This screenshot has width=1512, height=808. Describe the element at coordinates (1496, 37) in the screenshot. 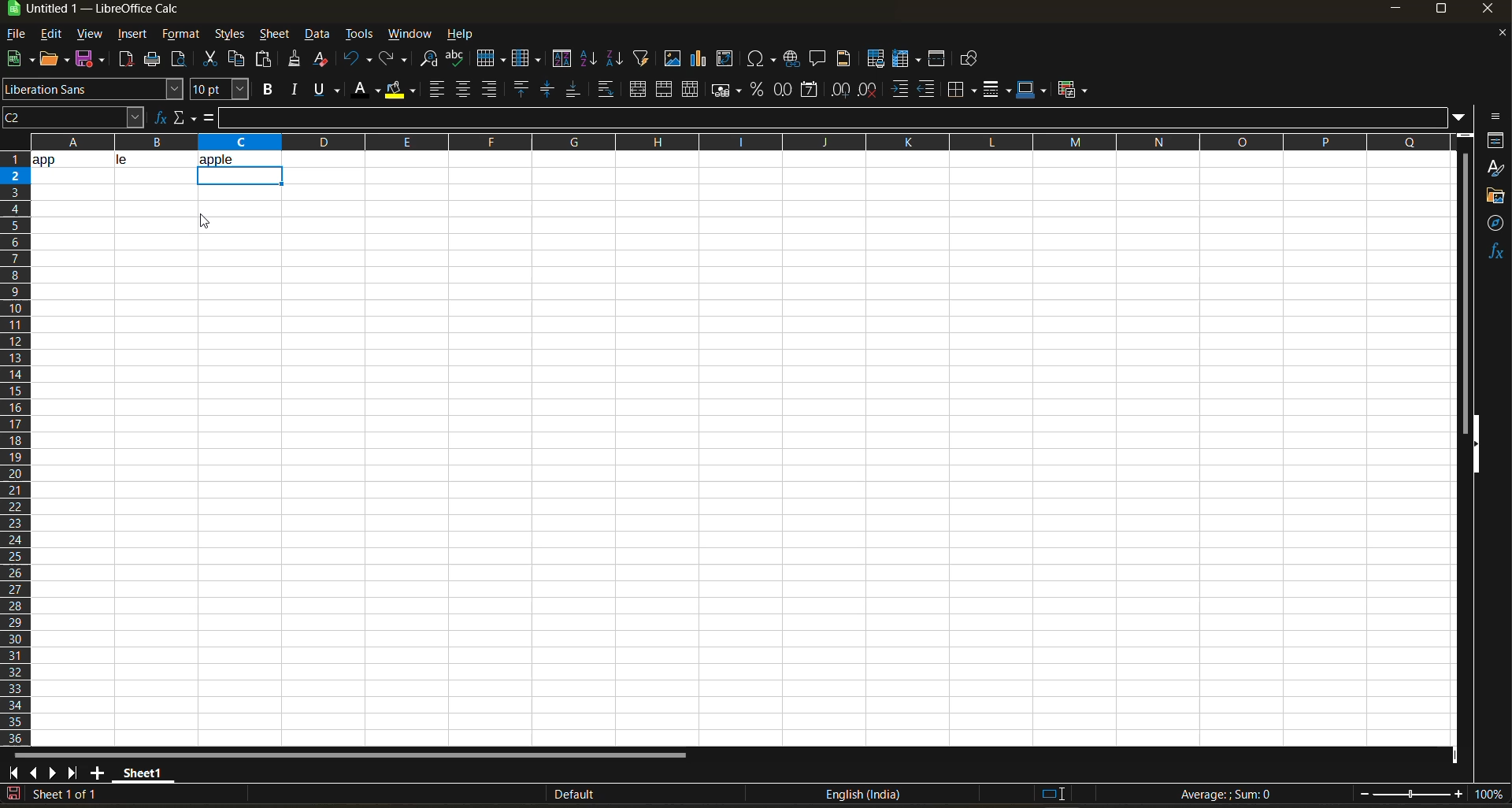

I see `close document` at that location.